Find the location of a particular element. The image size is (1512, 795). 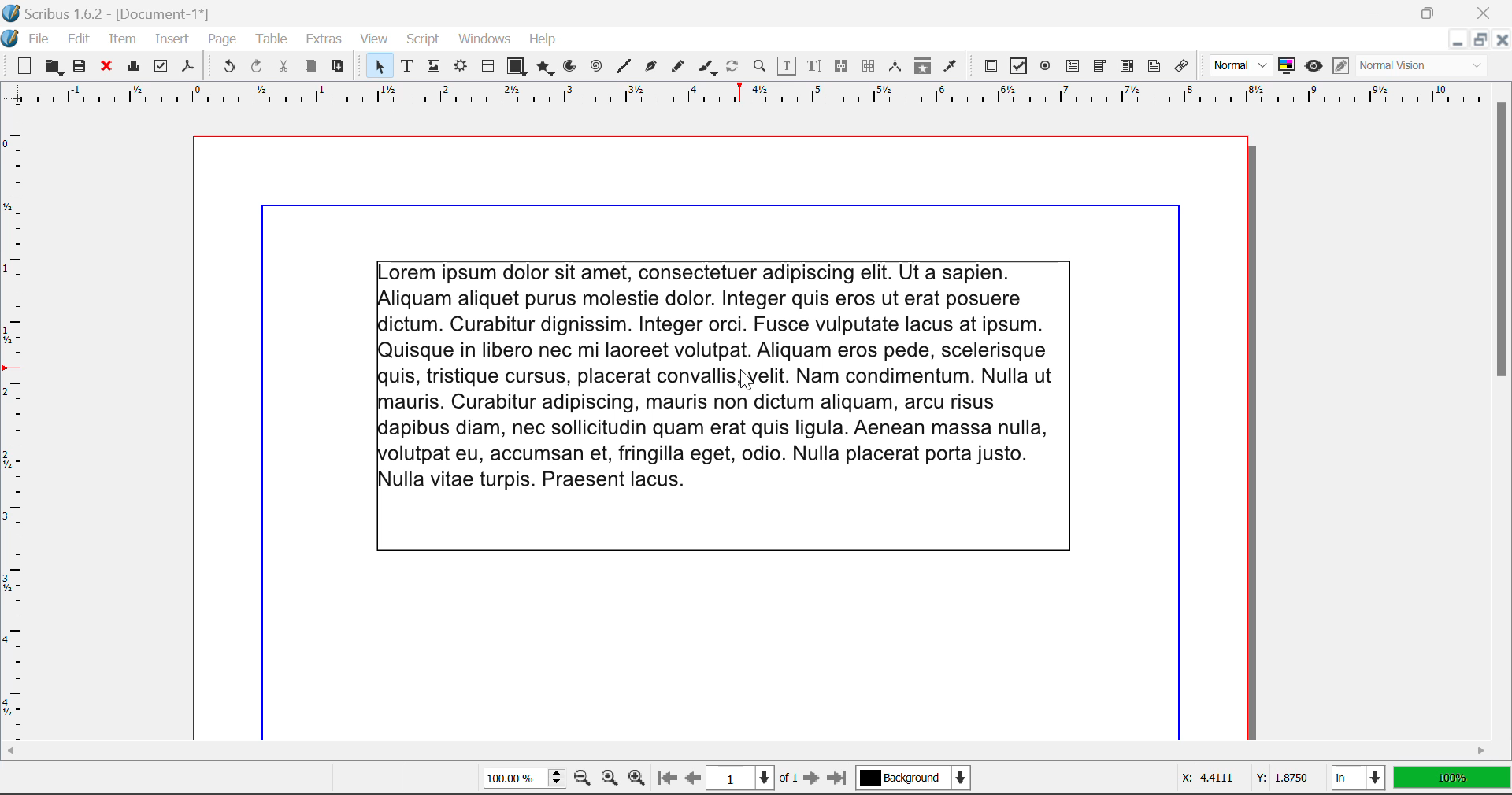

Zoom to 100% is located at coordinates (610, 780).